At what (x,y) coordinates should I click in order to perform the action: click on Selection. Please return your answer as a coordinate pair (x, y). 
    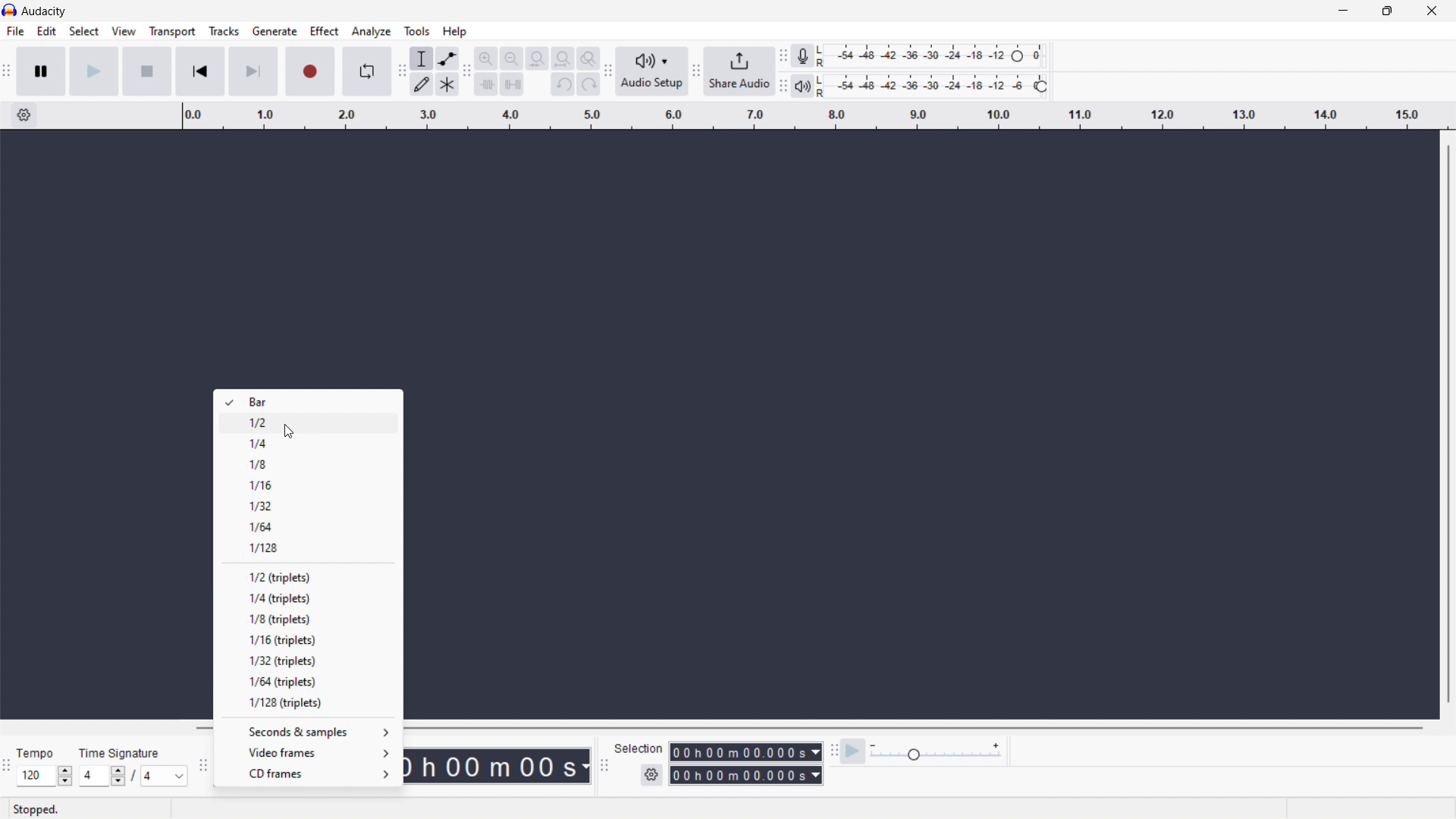
    Looking at the image, I should click on (635, 746).